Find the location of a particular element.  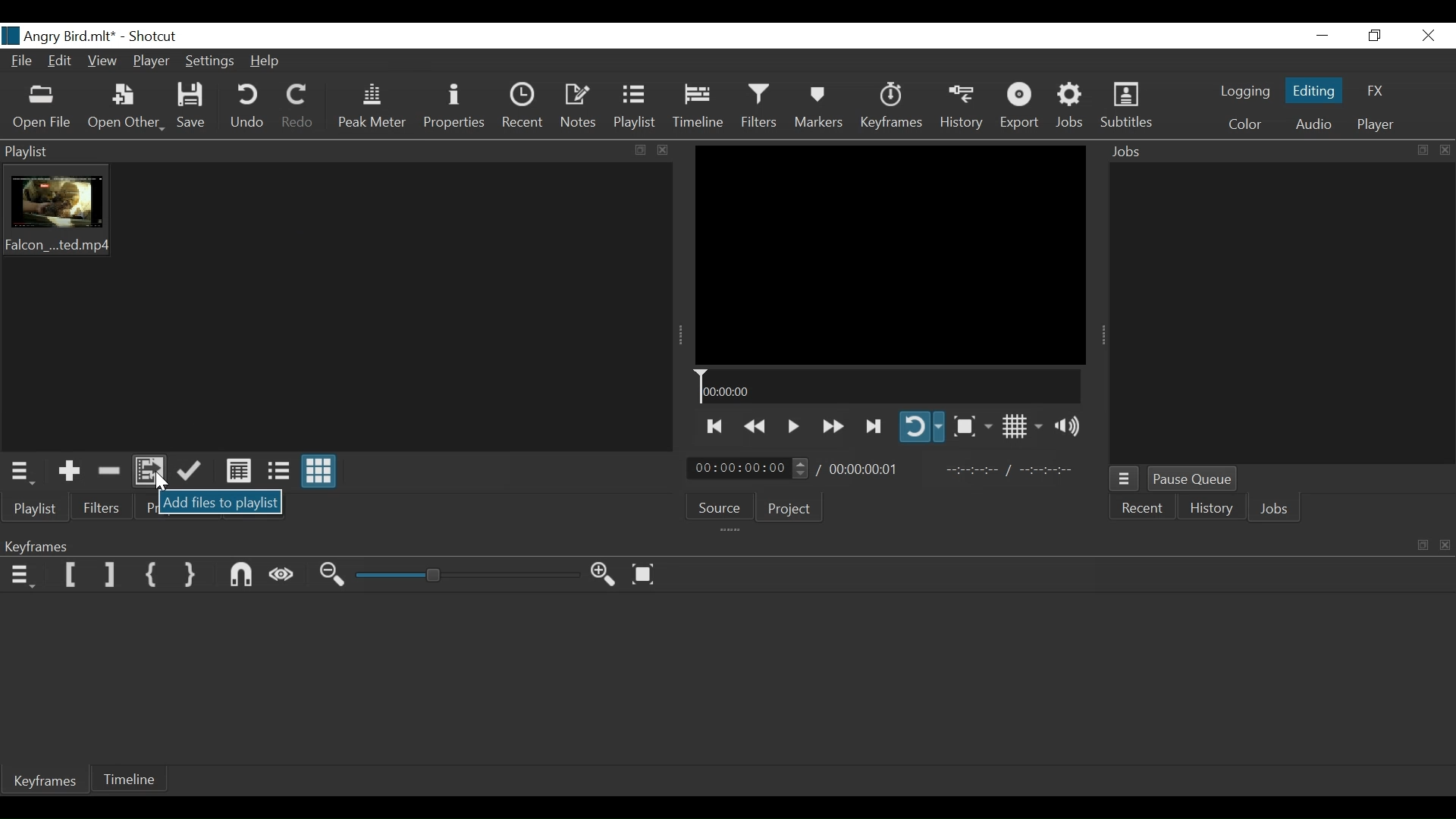

Recent is located at coordinates (1145, 508).